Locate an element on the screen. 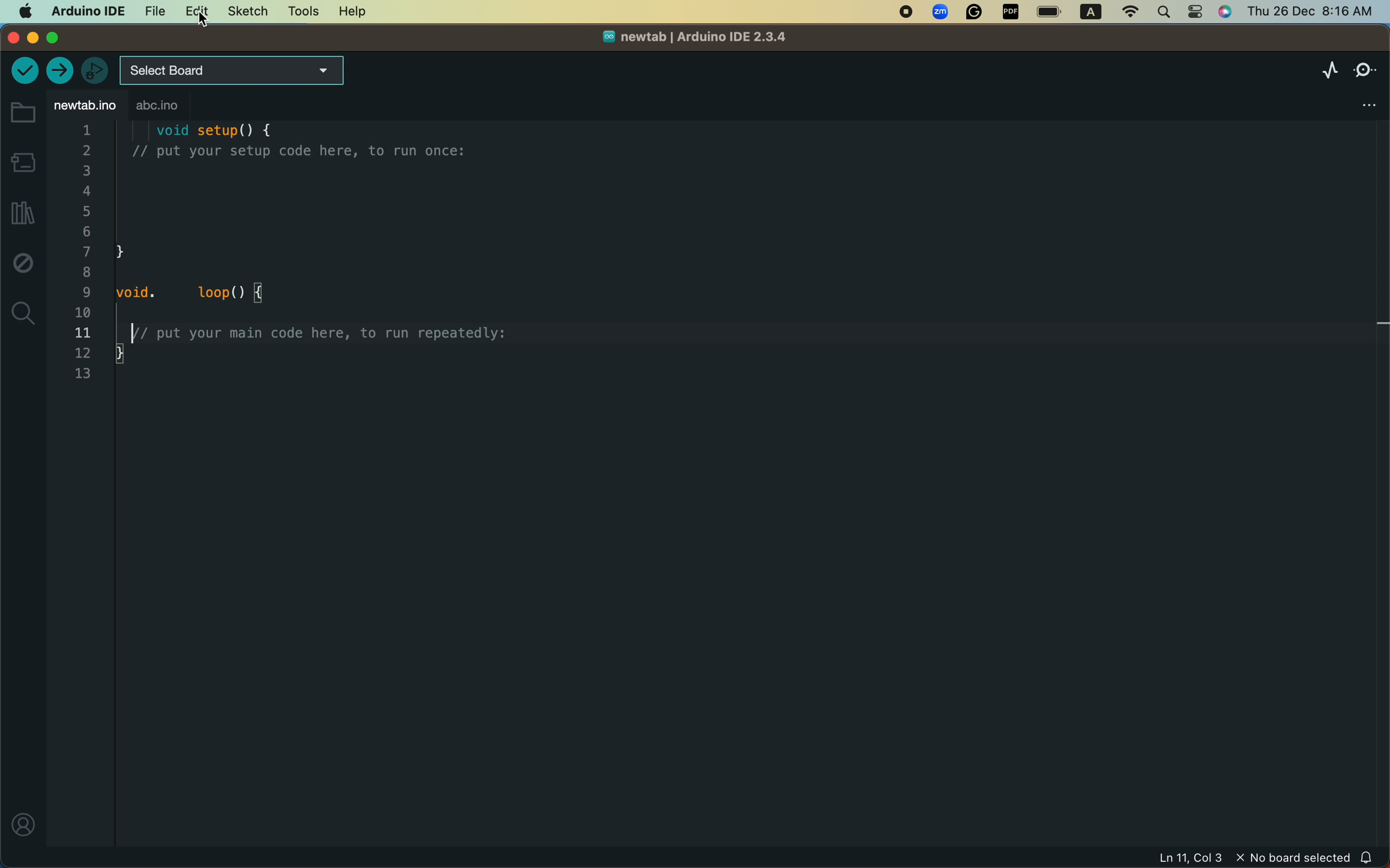 This screenshot has height=868, width=1390. abc is located at coordinates (184, 107).